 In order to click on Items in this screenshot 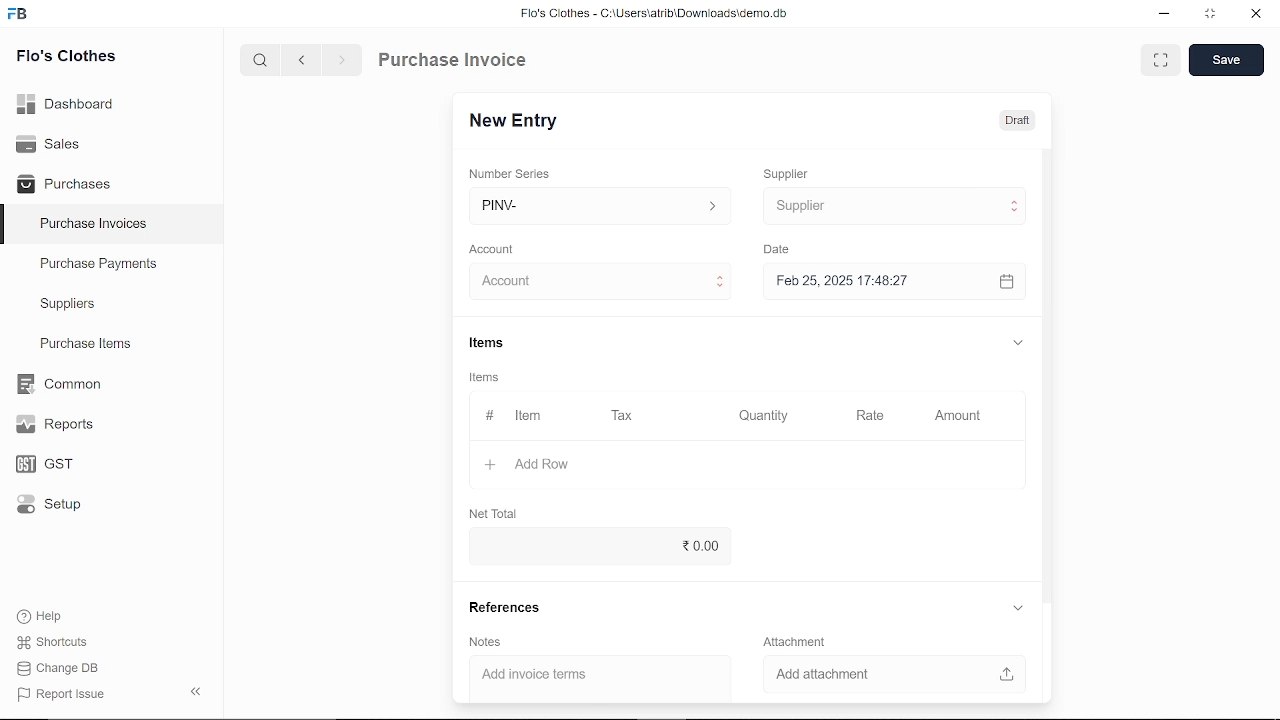, I will do `click(502, 343)`.